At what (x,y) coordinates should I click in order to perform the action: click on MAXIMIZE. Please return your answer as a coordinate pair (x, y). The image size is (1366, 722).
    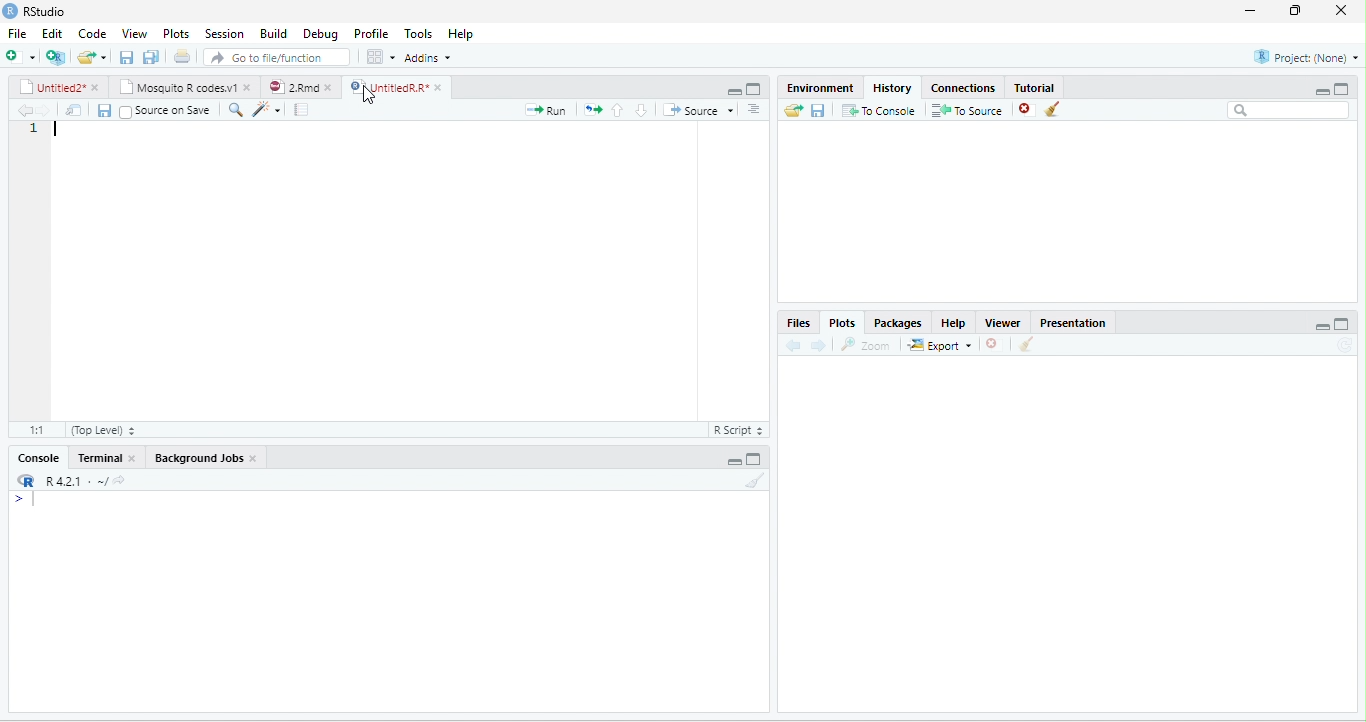
    Looking at the image, I should click on (1349, 326).